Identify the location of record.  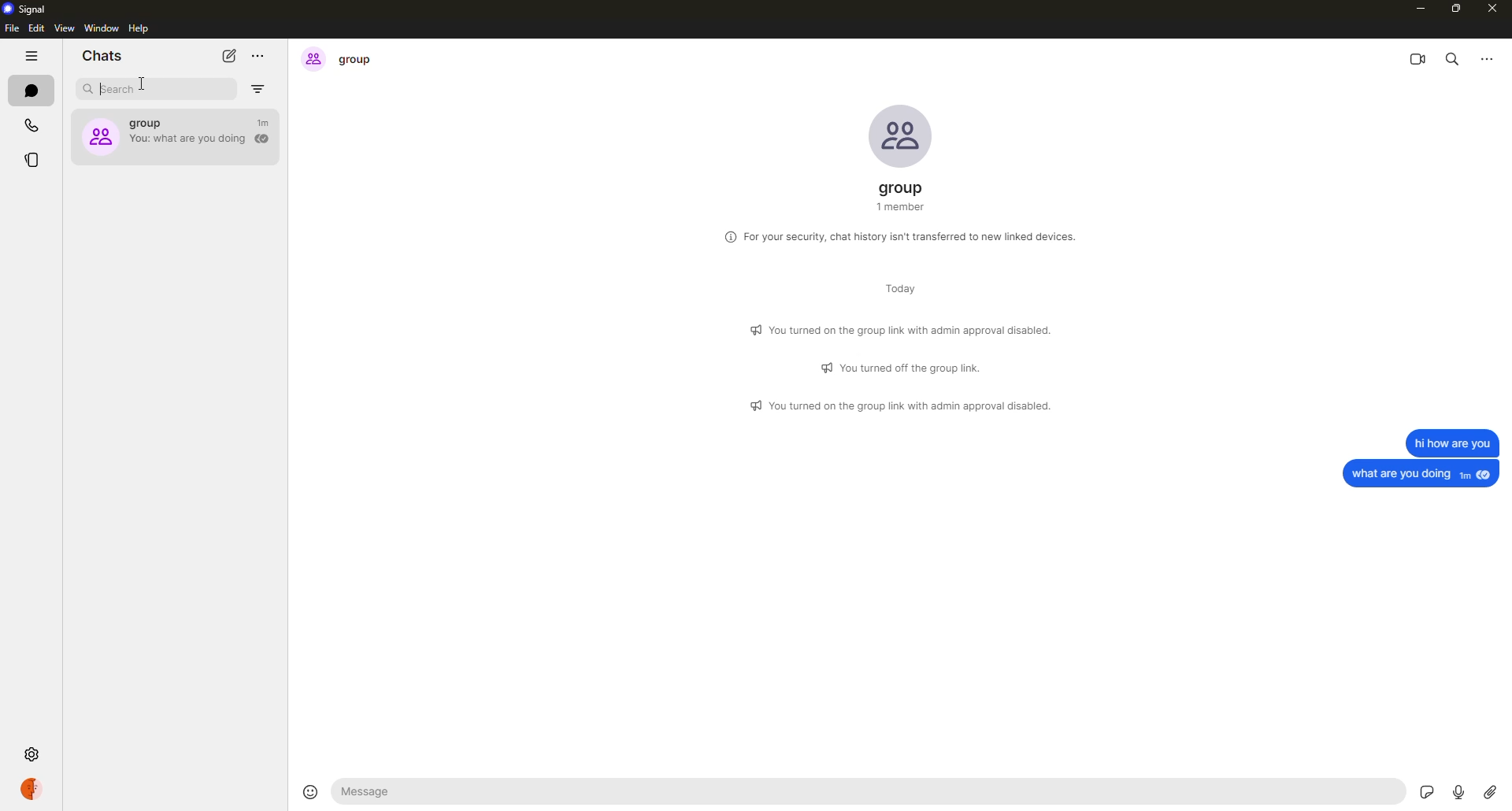
(1458, 790).